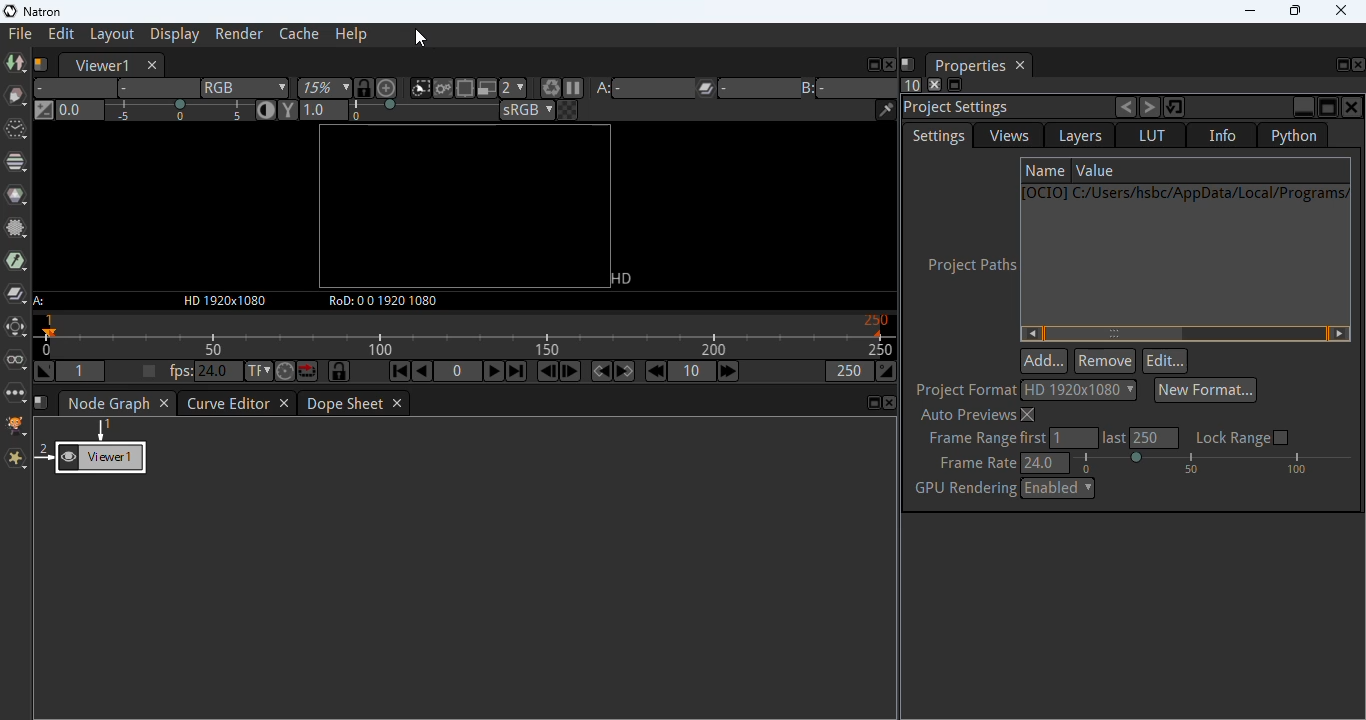 The height and width of the screenshot is (720, 1366). What do you see at coordinates (1216, 463) in the screenshot?
I see `scroll` at bounding box center [1216, 463].